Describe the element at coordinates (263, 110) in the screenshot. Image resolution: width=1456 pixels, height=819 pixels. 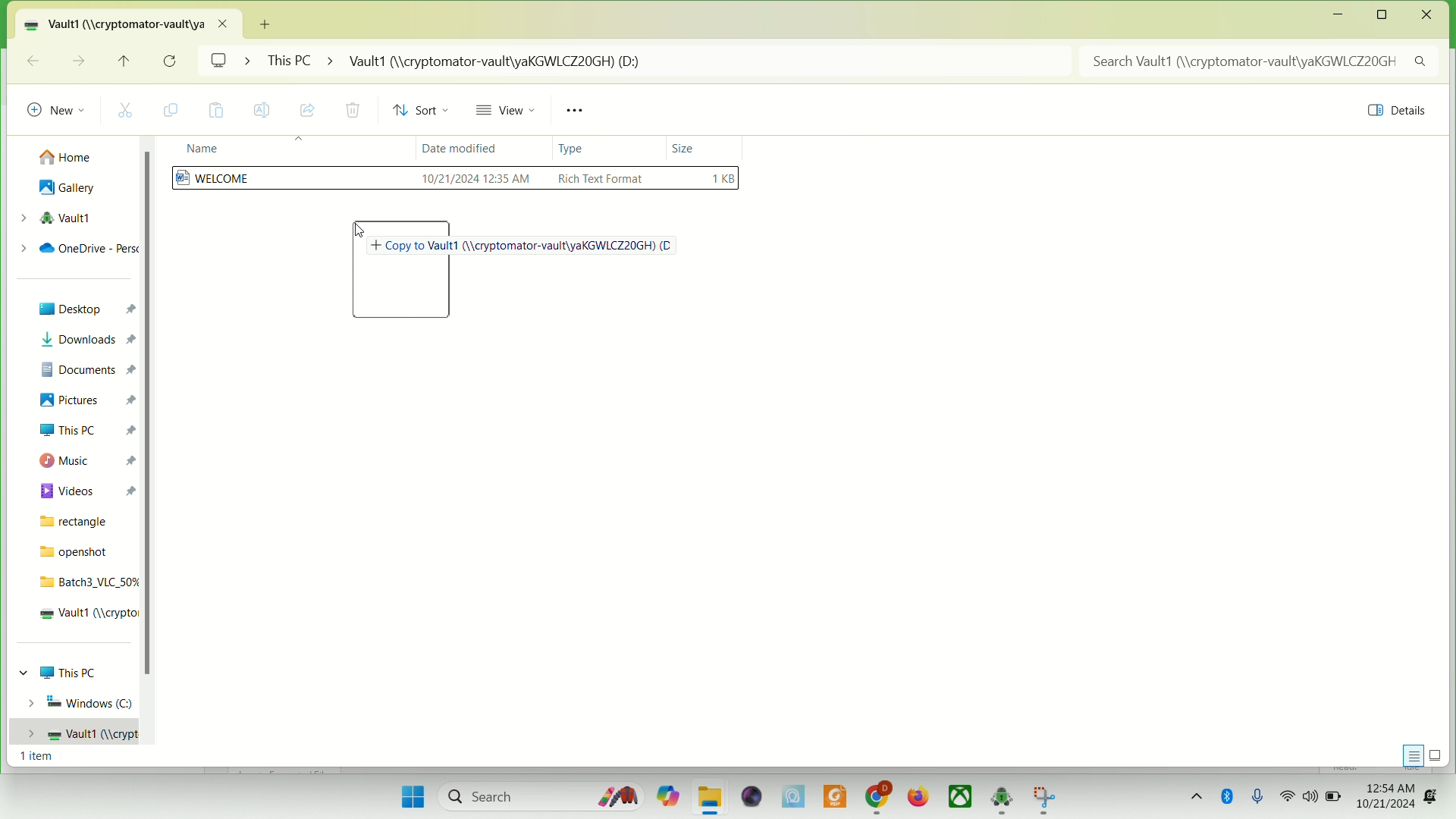
I see `rename` at that location.